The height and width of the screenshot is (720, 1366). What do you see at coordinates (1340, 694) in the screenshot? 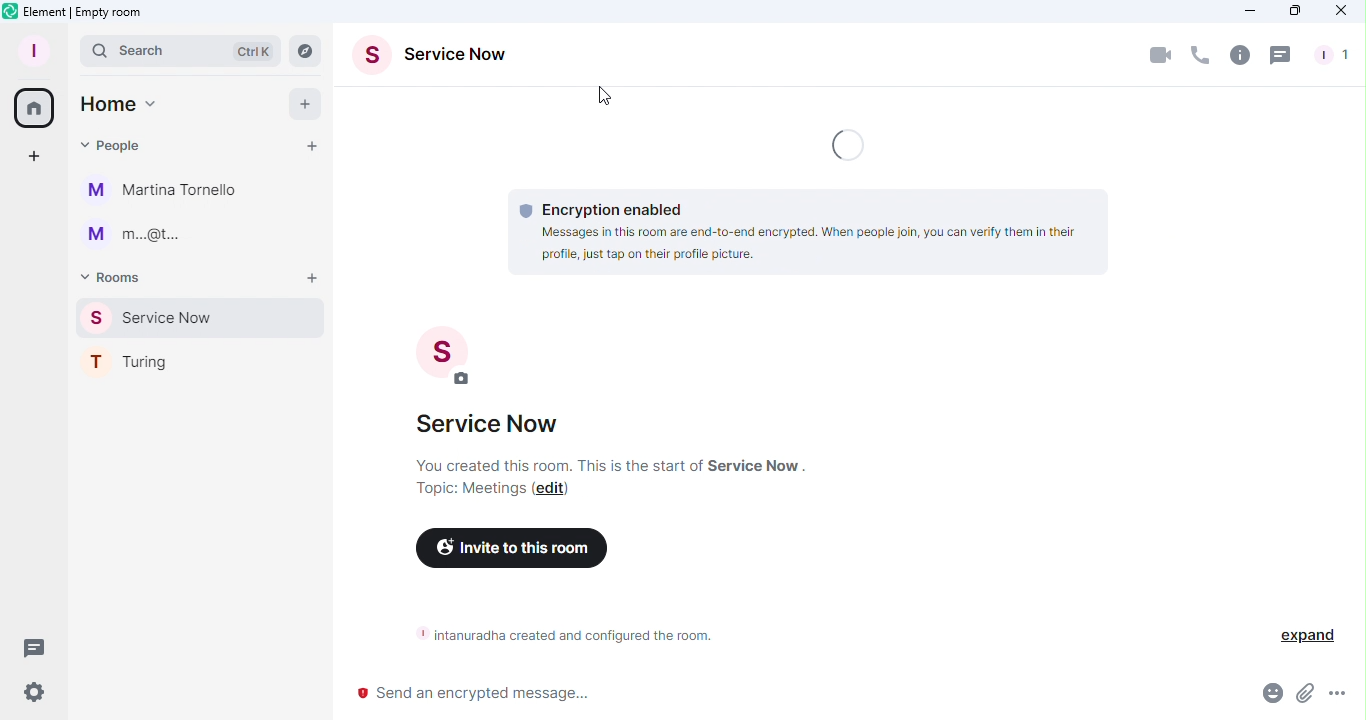
I see `More Options` at bounding box center [1340, 694].